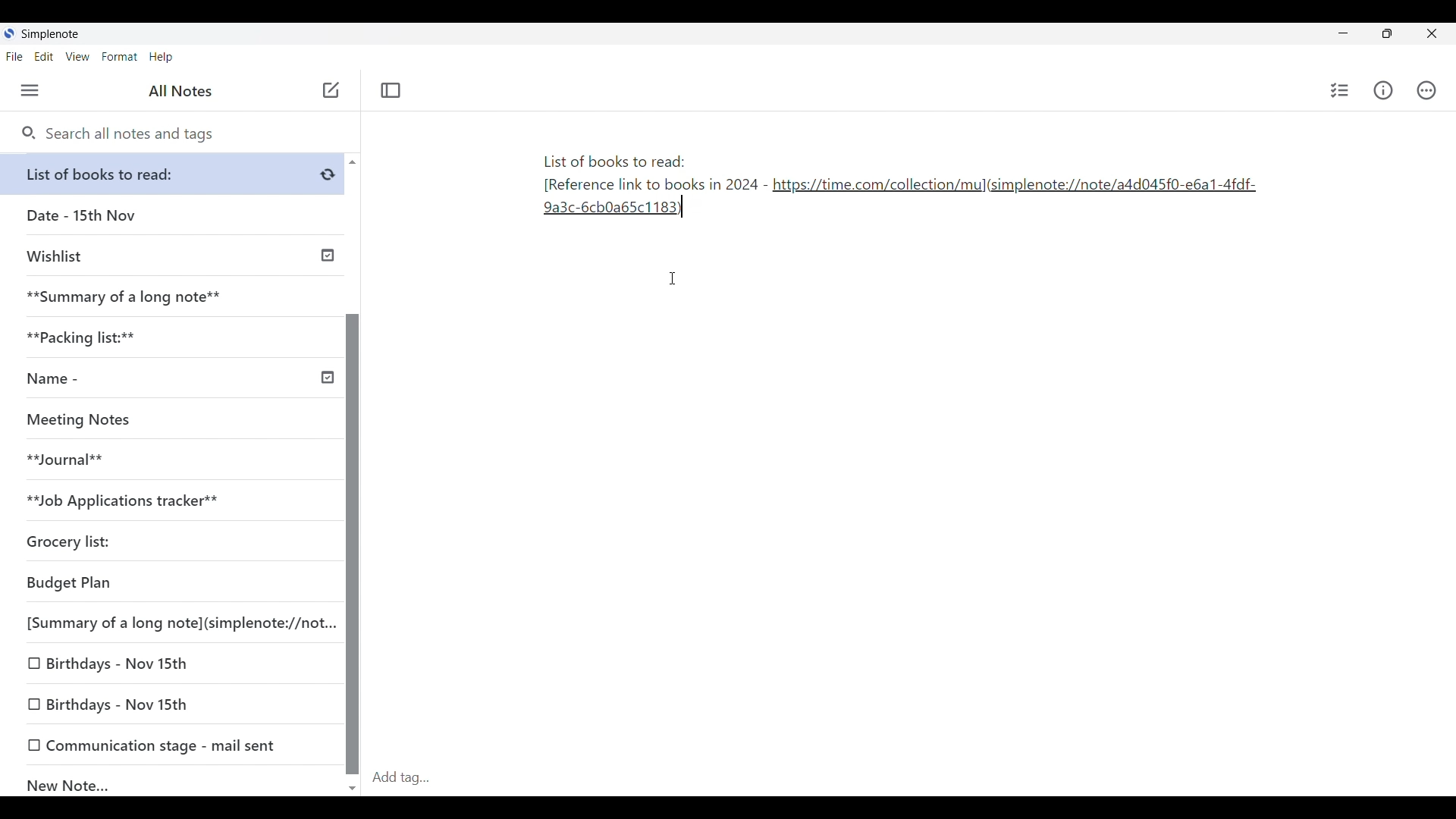 This screenshot has width=1456, height=819. Describe the element at coordinates (168, 460) in the screenshot. I see `**Journal**` at that location.